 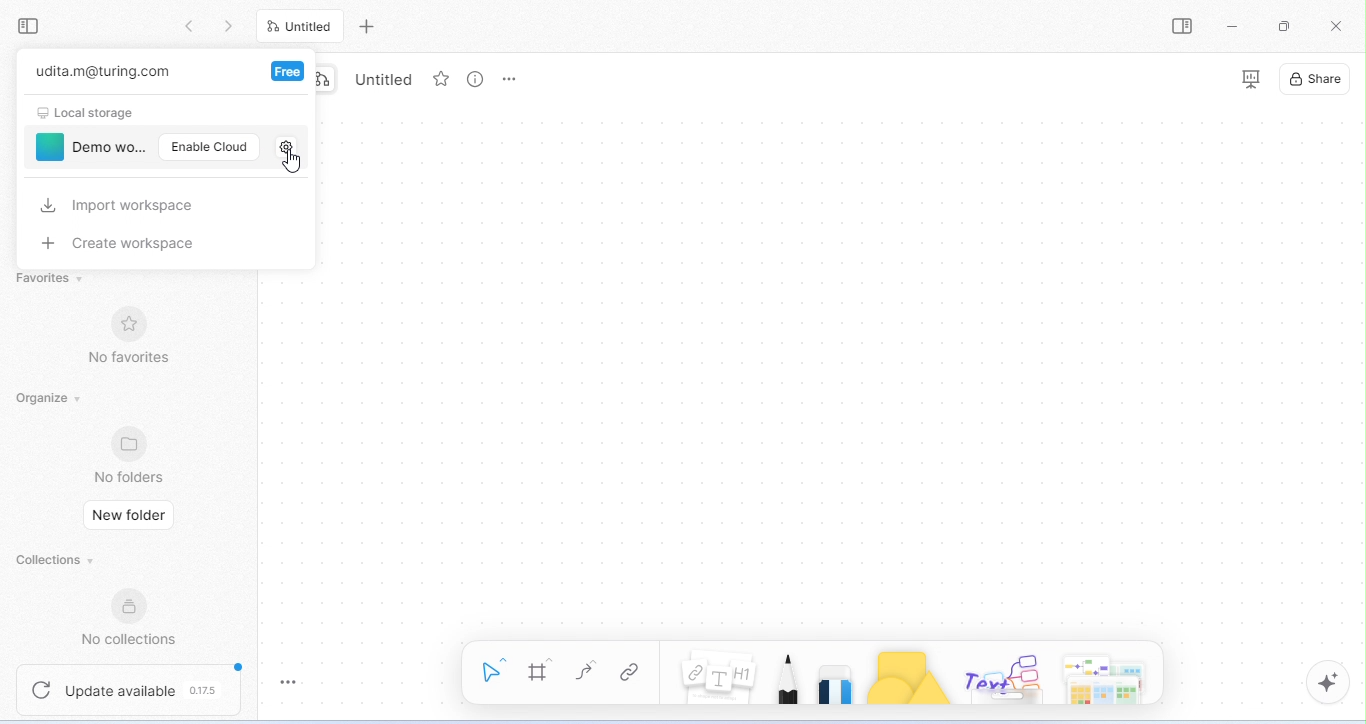 What do you see at coordinates (839, 683) in the screenshot?
I see `eraser` at bounding box center [839, 683].